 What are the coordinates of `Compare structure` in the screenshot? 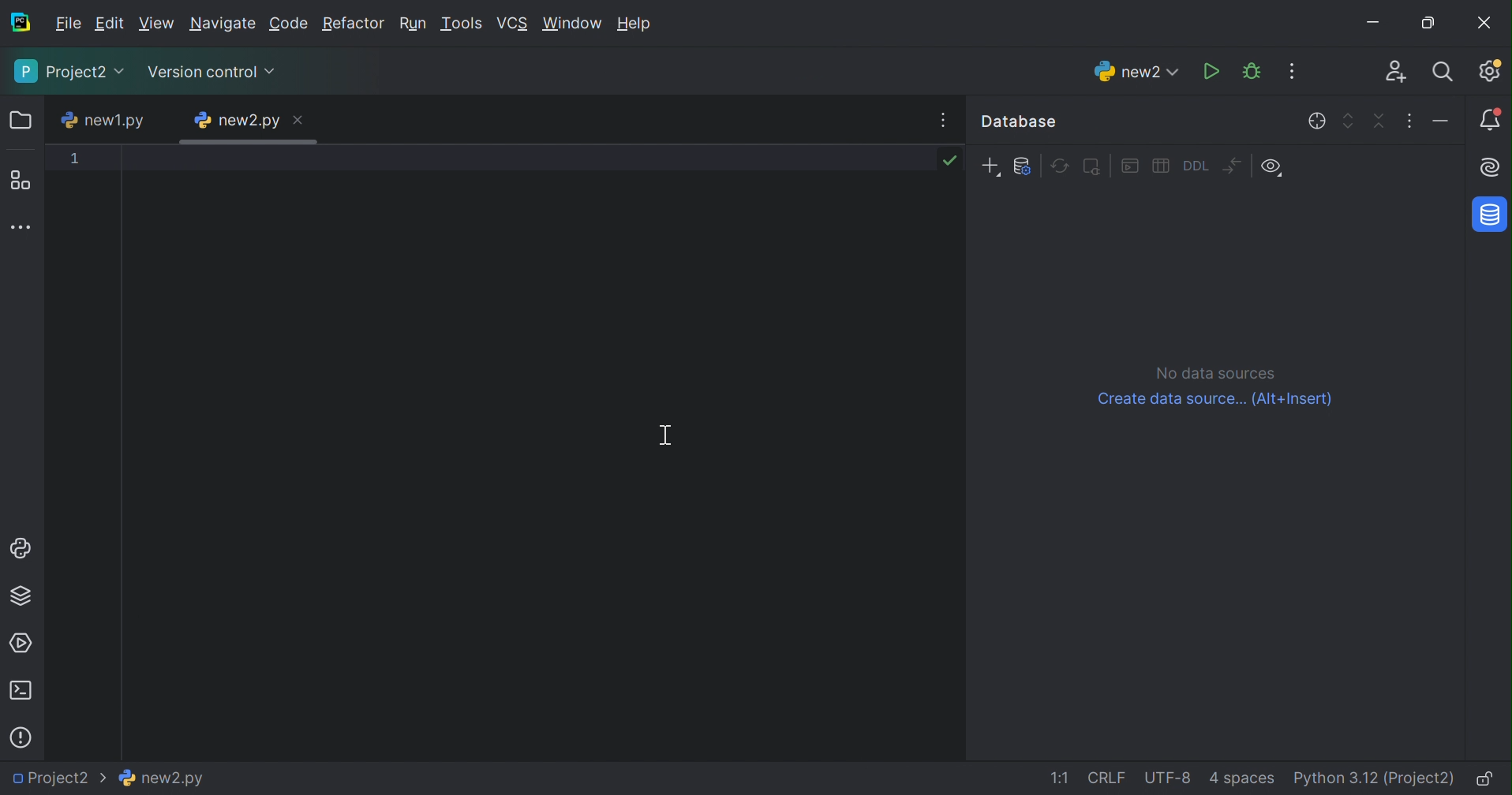 It's located at (1231, 165).